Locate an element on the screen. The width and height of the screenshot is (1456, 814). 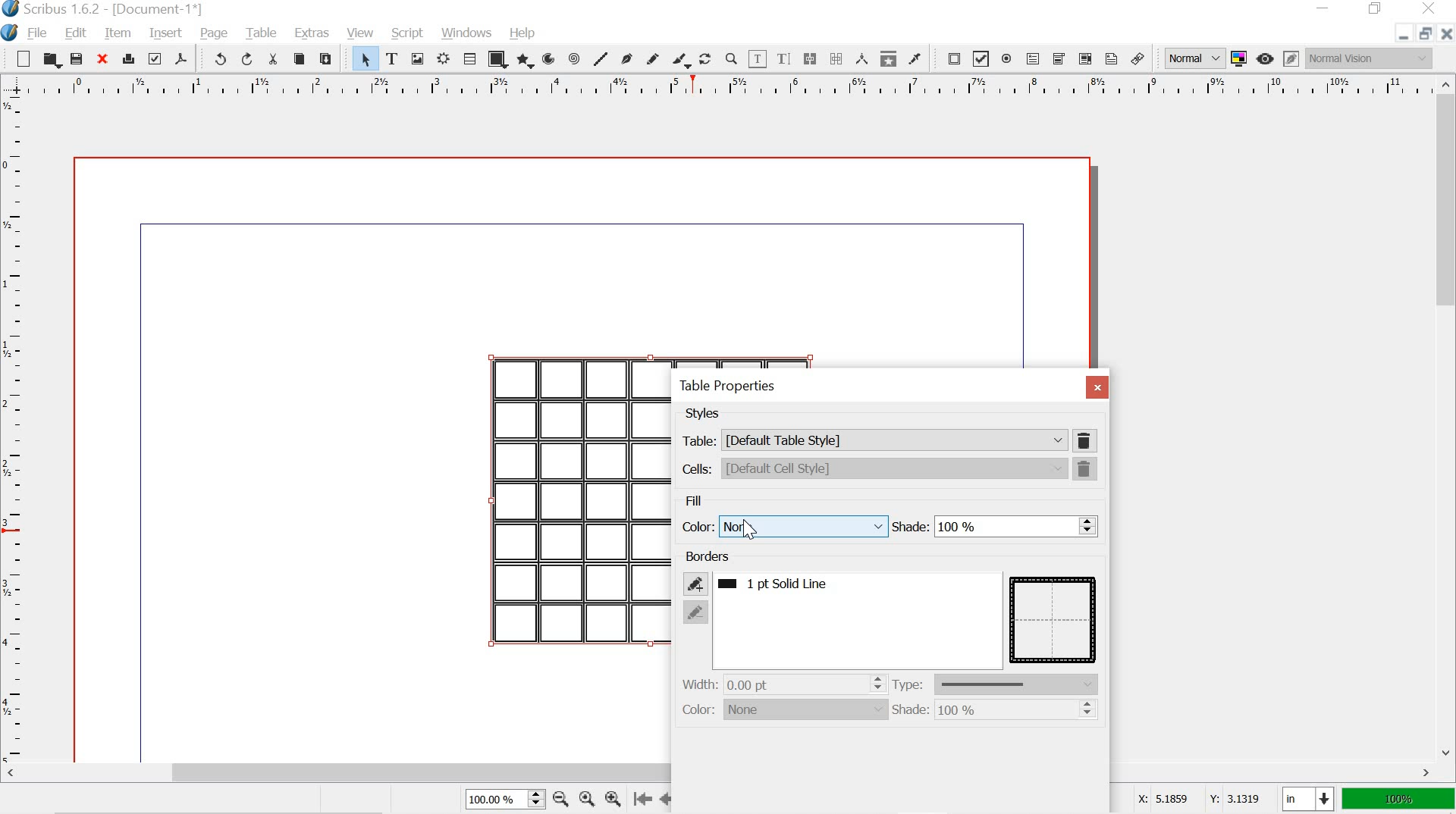
X: 5.1859 Y: 3.1319 is located at coordinates (1198, 800).